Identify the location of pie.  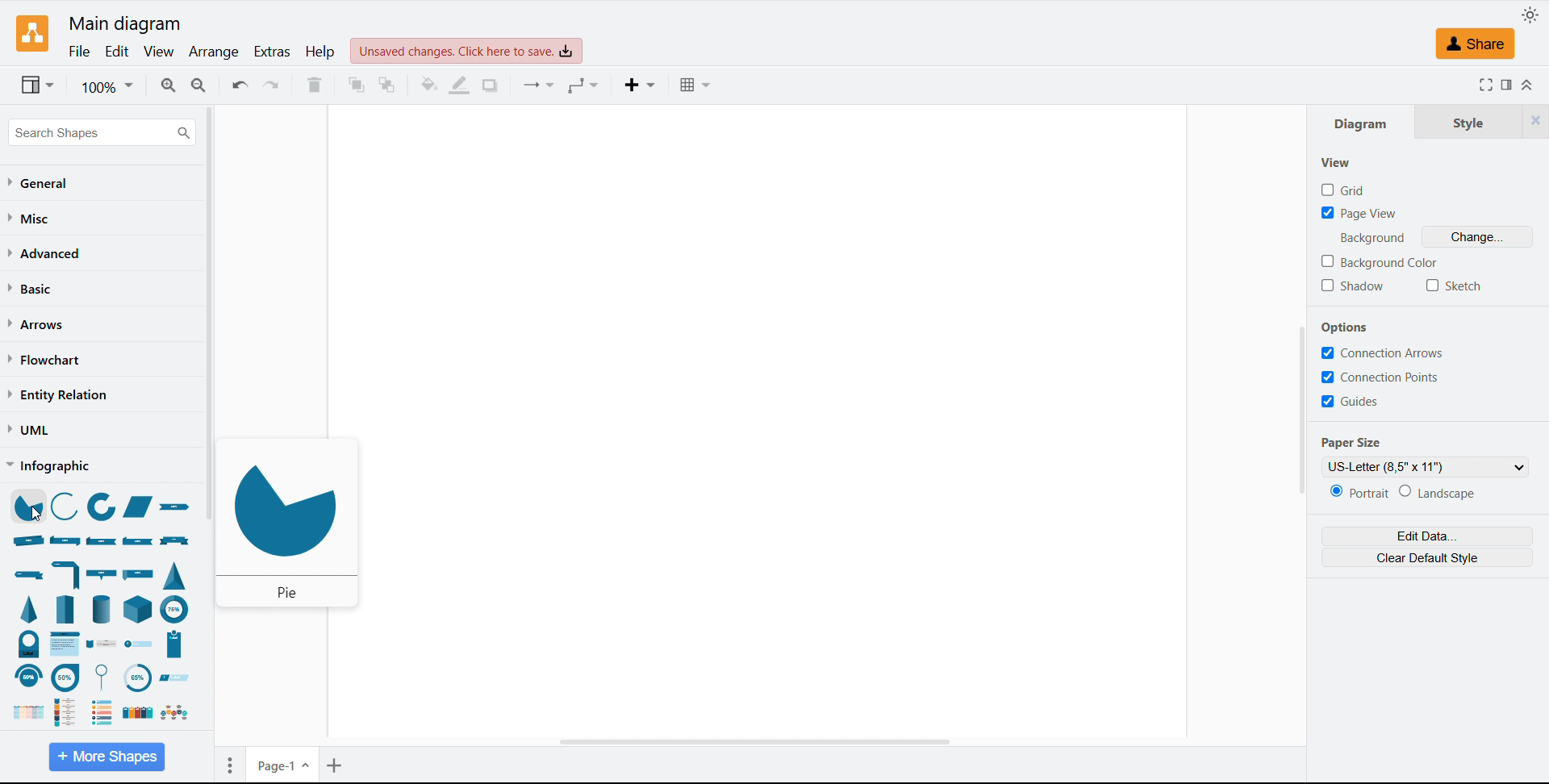
(25, 507).